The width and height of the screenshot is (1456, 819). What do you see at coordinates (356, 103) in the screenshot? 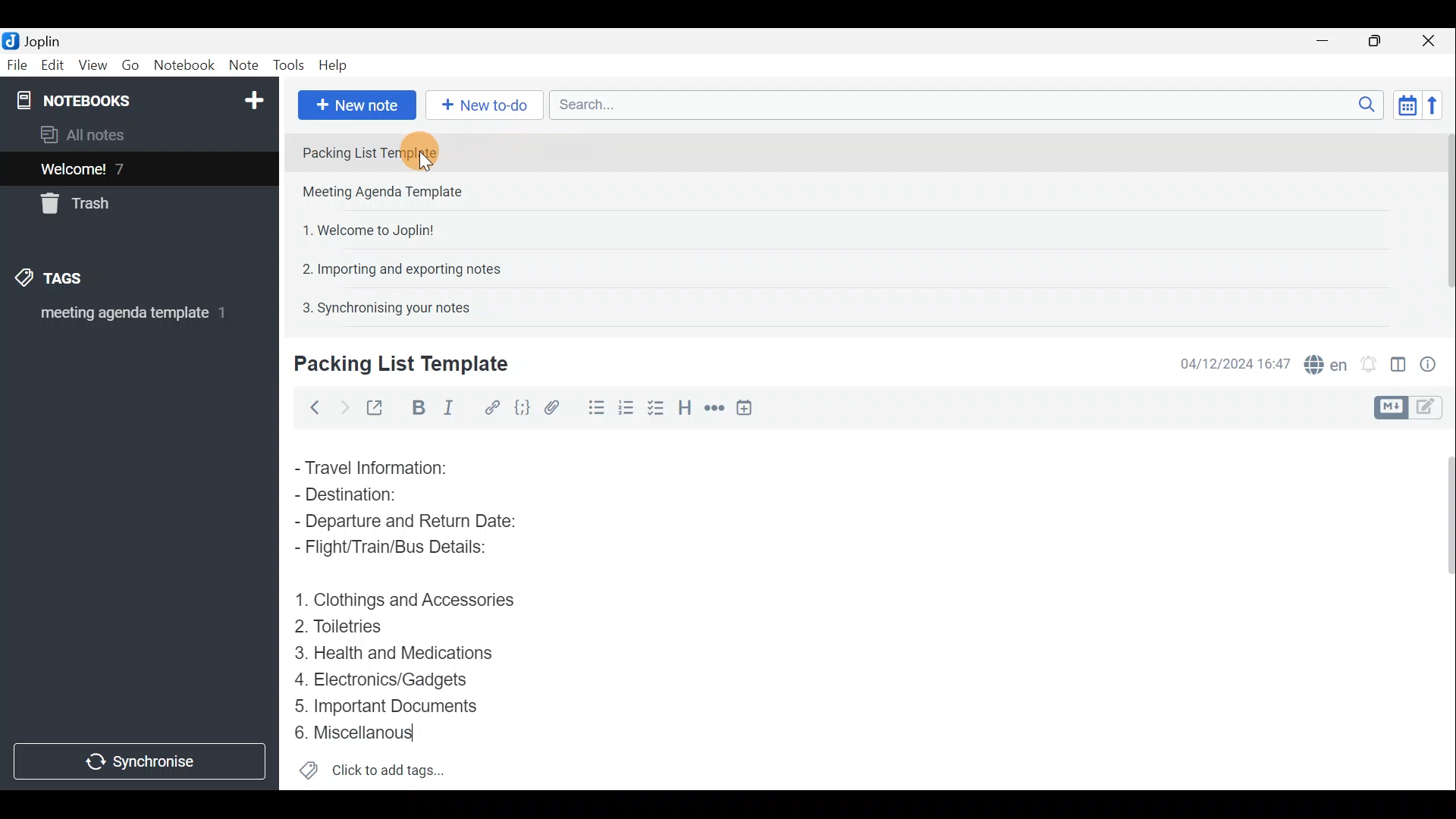
I see `New note` at bounding box center [356, 103].